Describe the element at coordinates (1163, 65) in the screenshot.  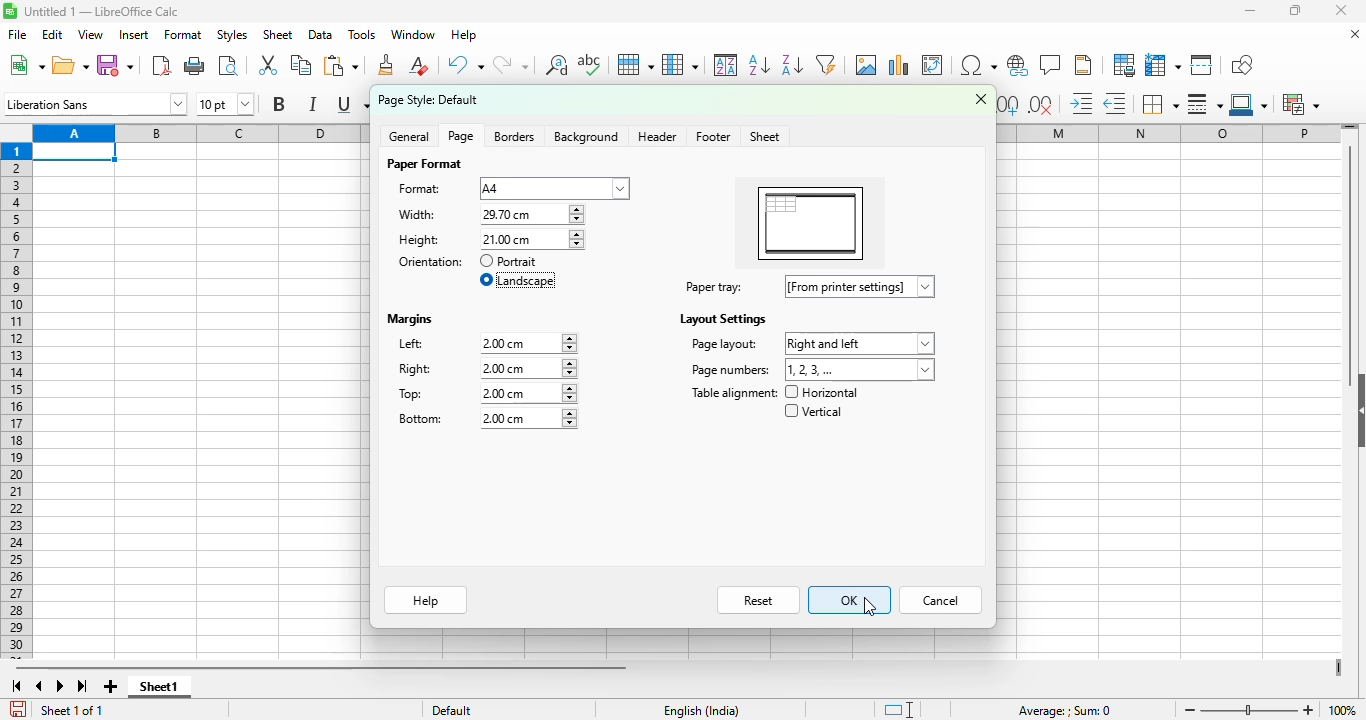
I see `freeze rows and columns` at that location.